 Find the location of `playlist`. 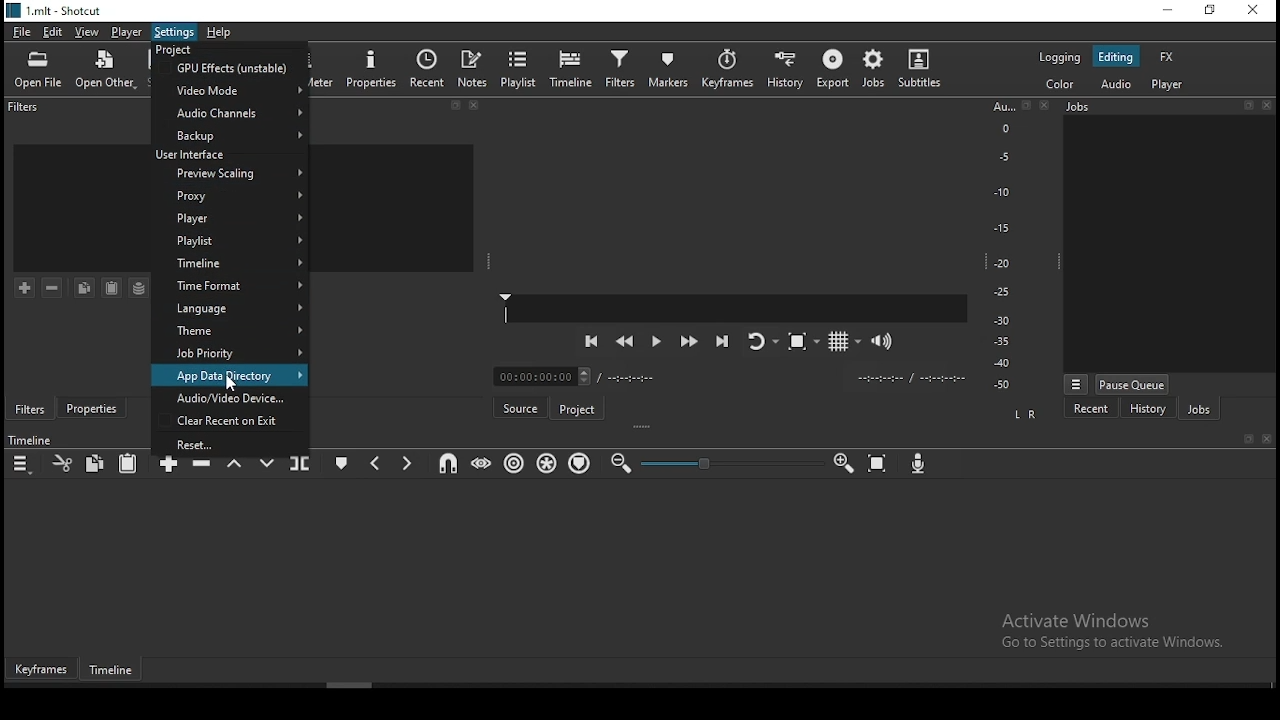

playlist is located at coordinates (231, 241).